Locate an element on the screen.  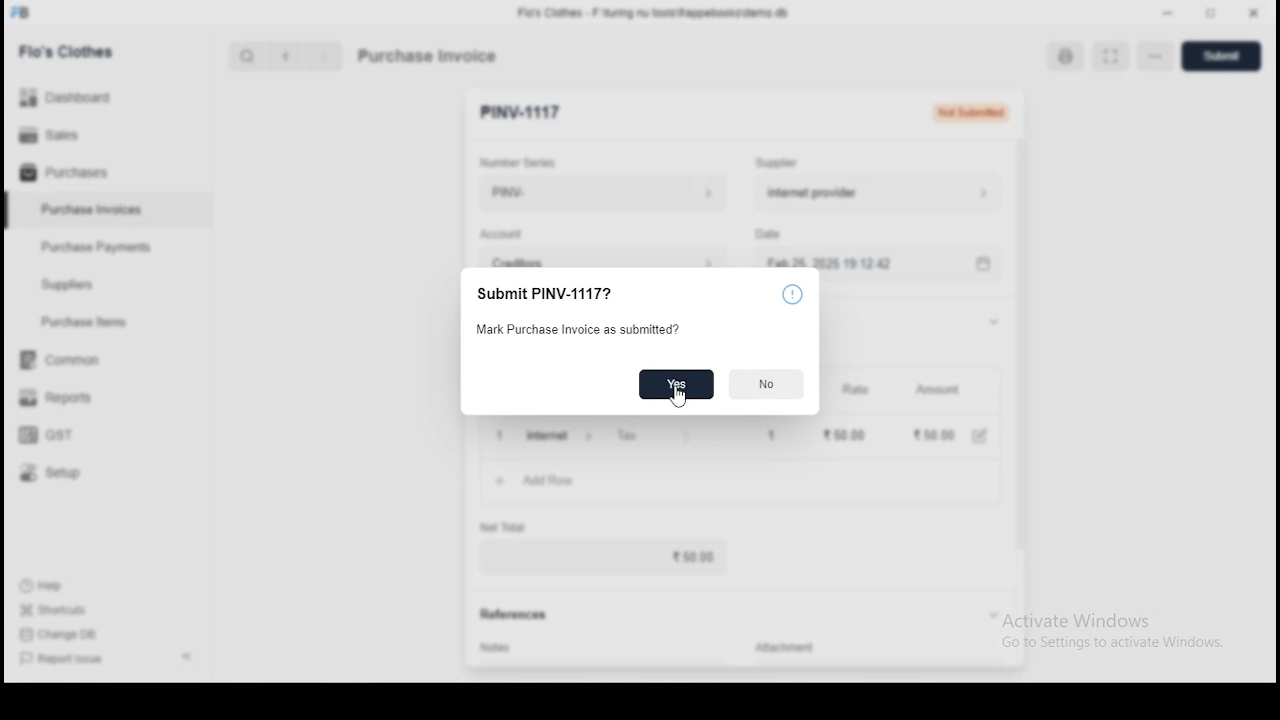
yes is located at coordinates (676, 385).